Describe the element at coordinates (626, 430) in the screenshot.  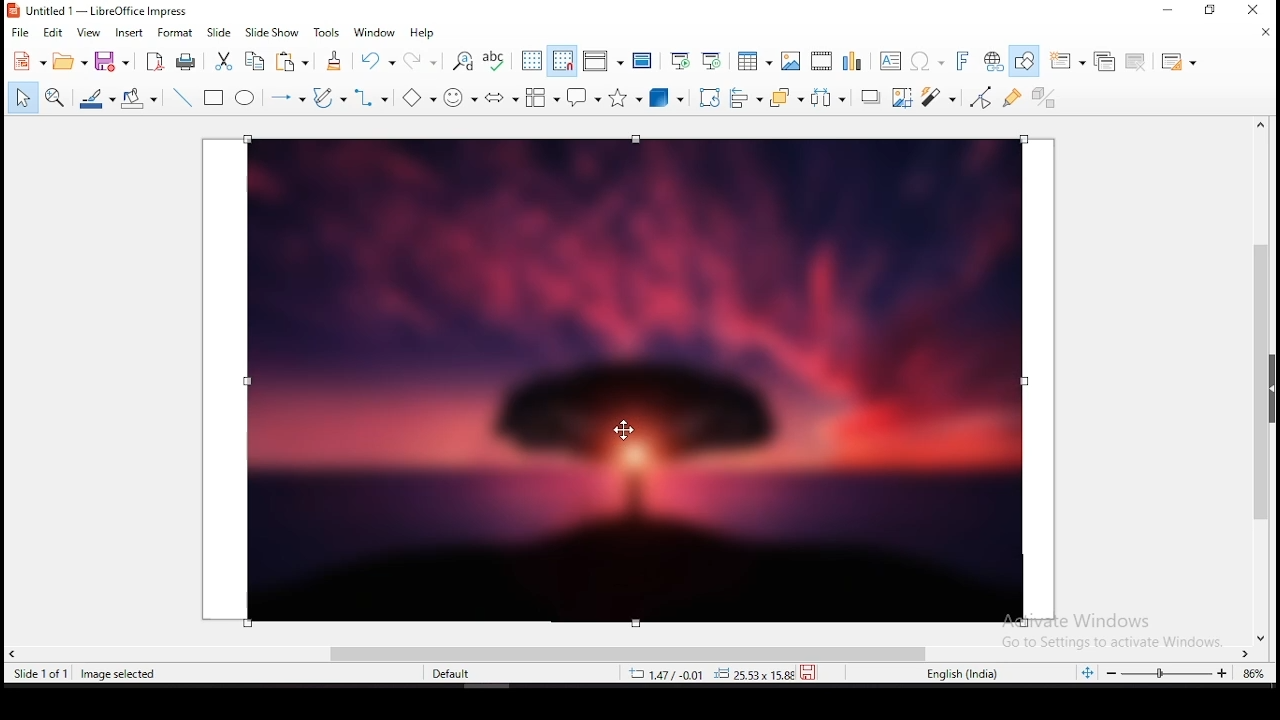
I see `mouse pointer` at that location.